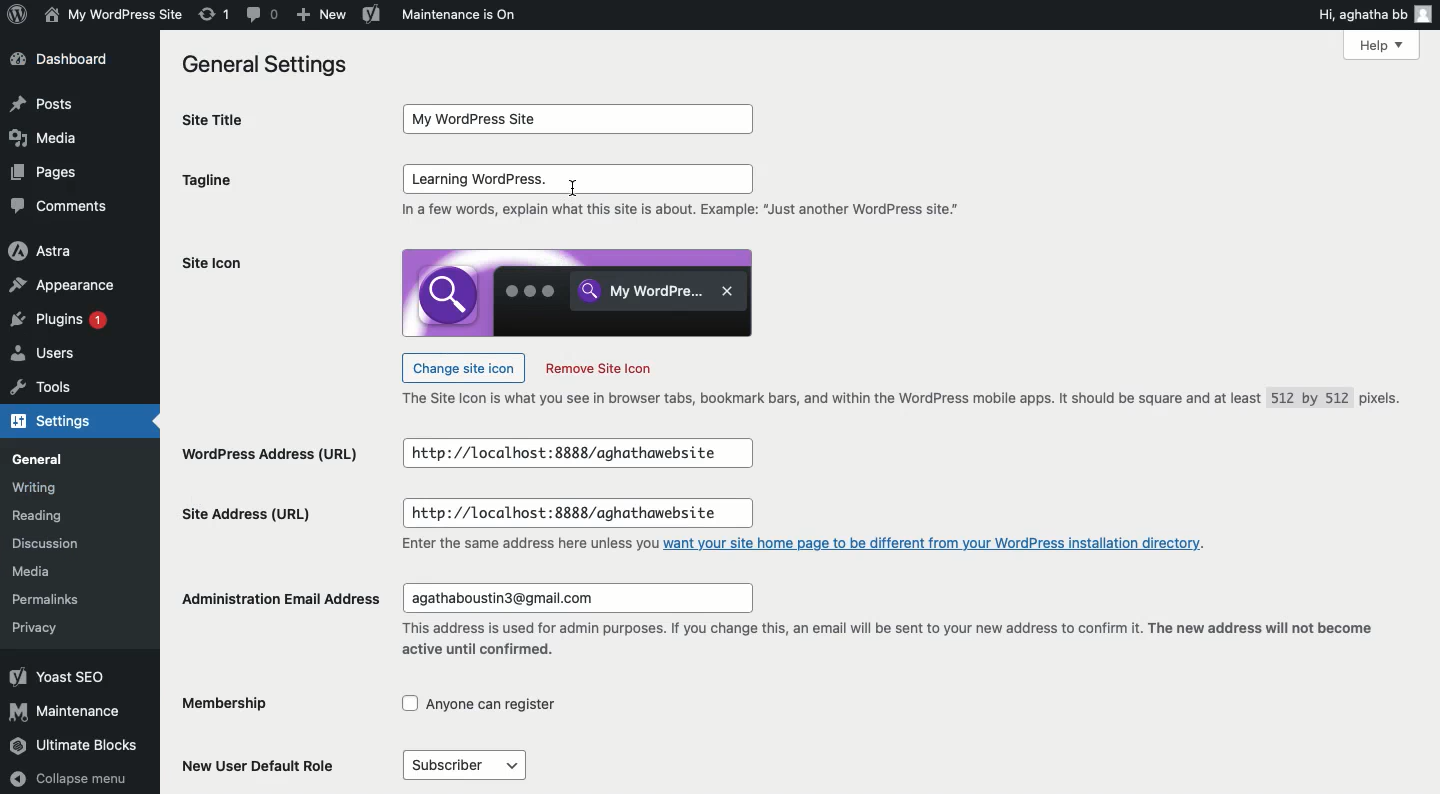 Image resolution: width=1440 pixels, height=794 pixels. Describe the element at coordinates (43, 391) in the screenshot. I see `Tools` at that location.